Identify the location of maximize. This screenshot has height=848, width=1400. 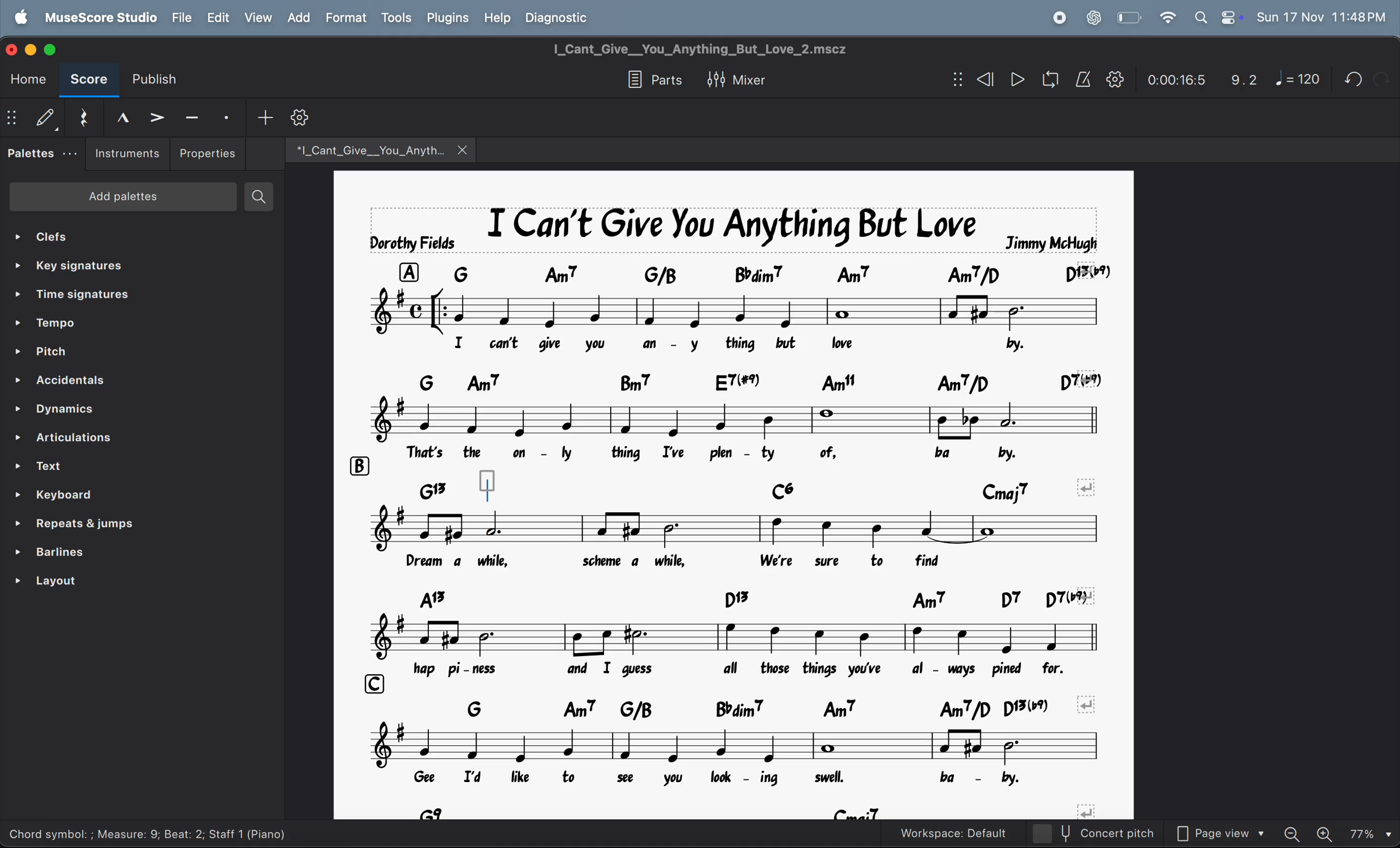
(55, 47).